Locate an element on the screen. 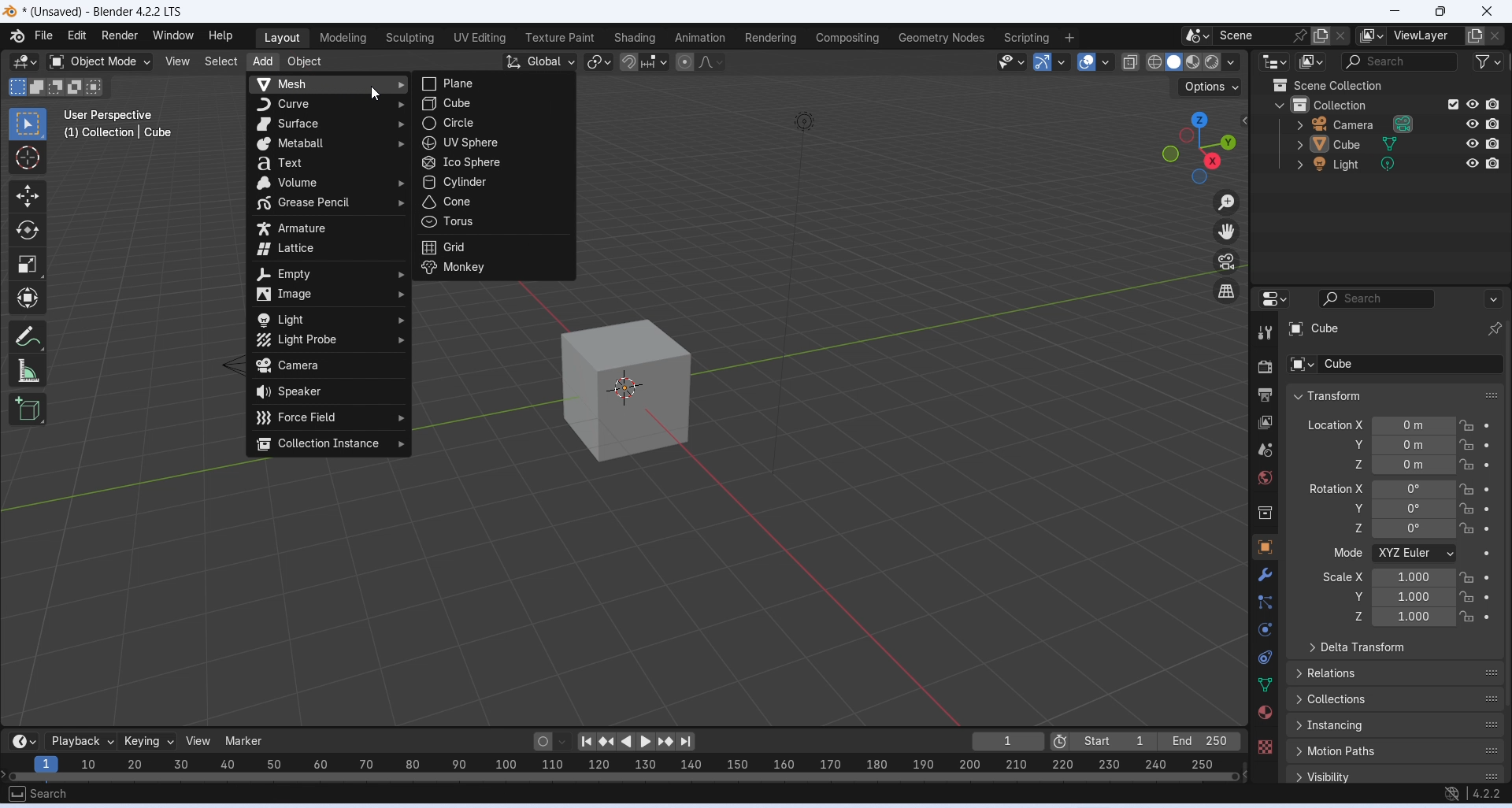  Search is located at coordinates (50, 794).